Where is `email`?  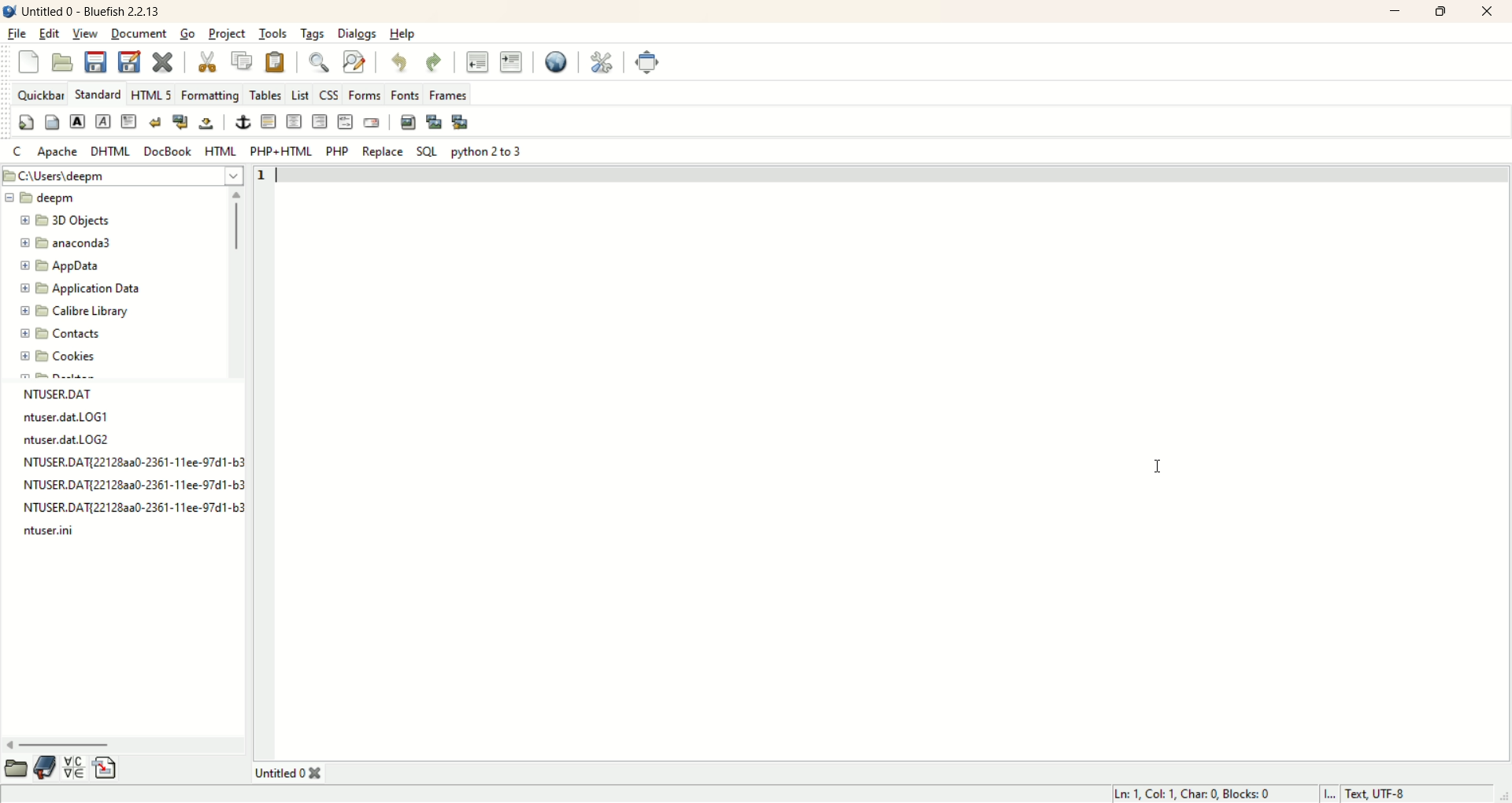
email is located at coordinates (372, 122).